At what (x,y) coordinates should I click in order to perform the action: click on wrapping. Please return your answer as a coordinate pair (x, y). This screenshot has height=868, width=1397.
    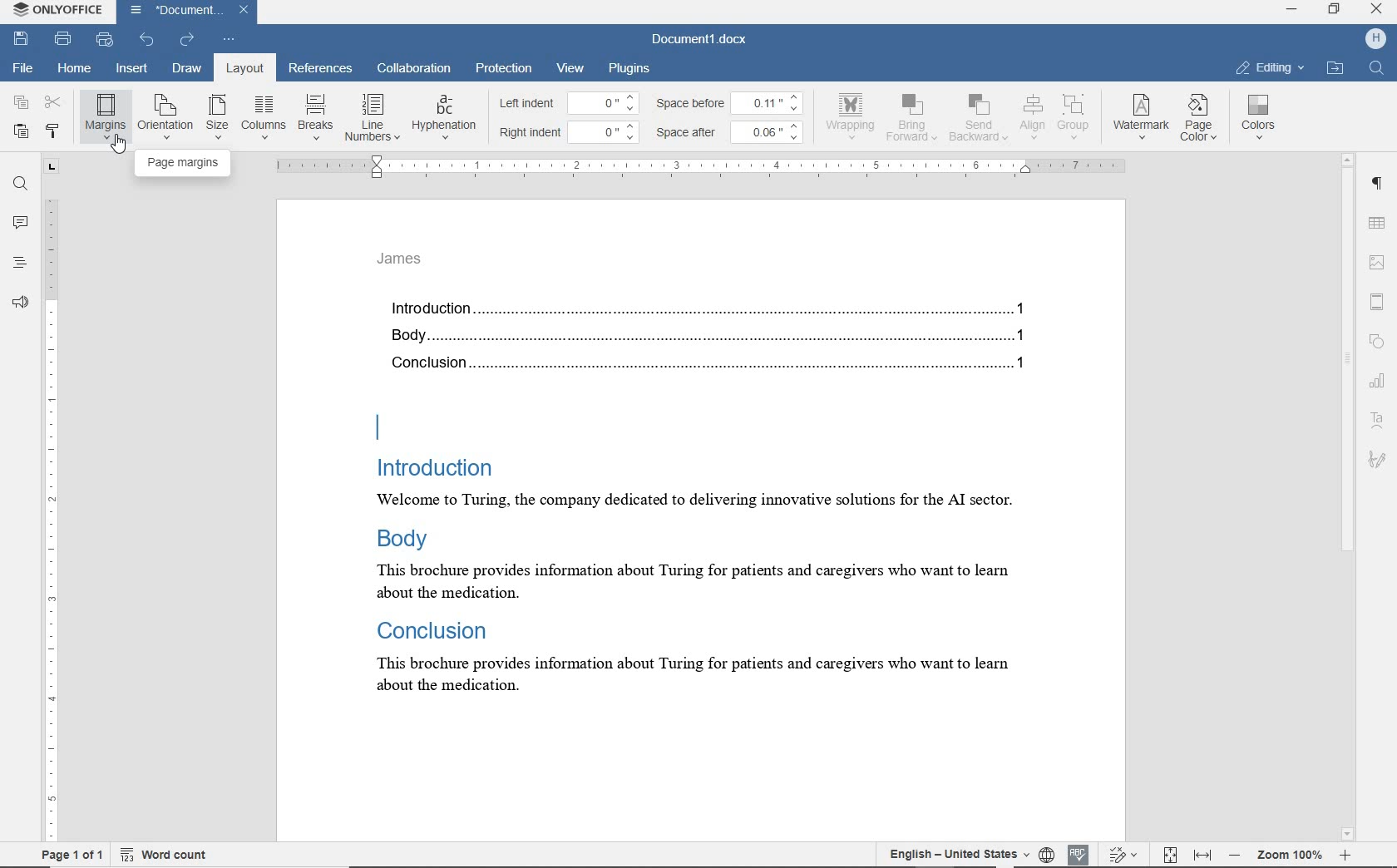
    Looking at the image, I should click on (853, 116).